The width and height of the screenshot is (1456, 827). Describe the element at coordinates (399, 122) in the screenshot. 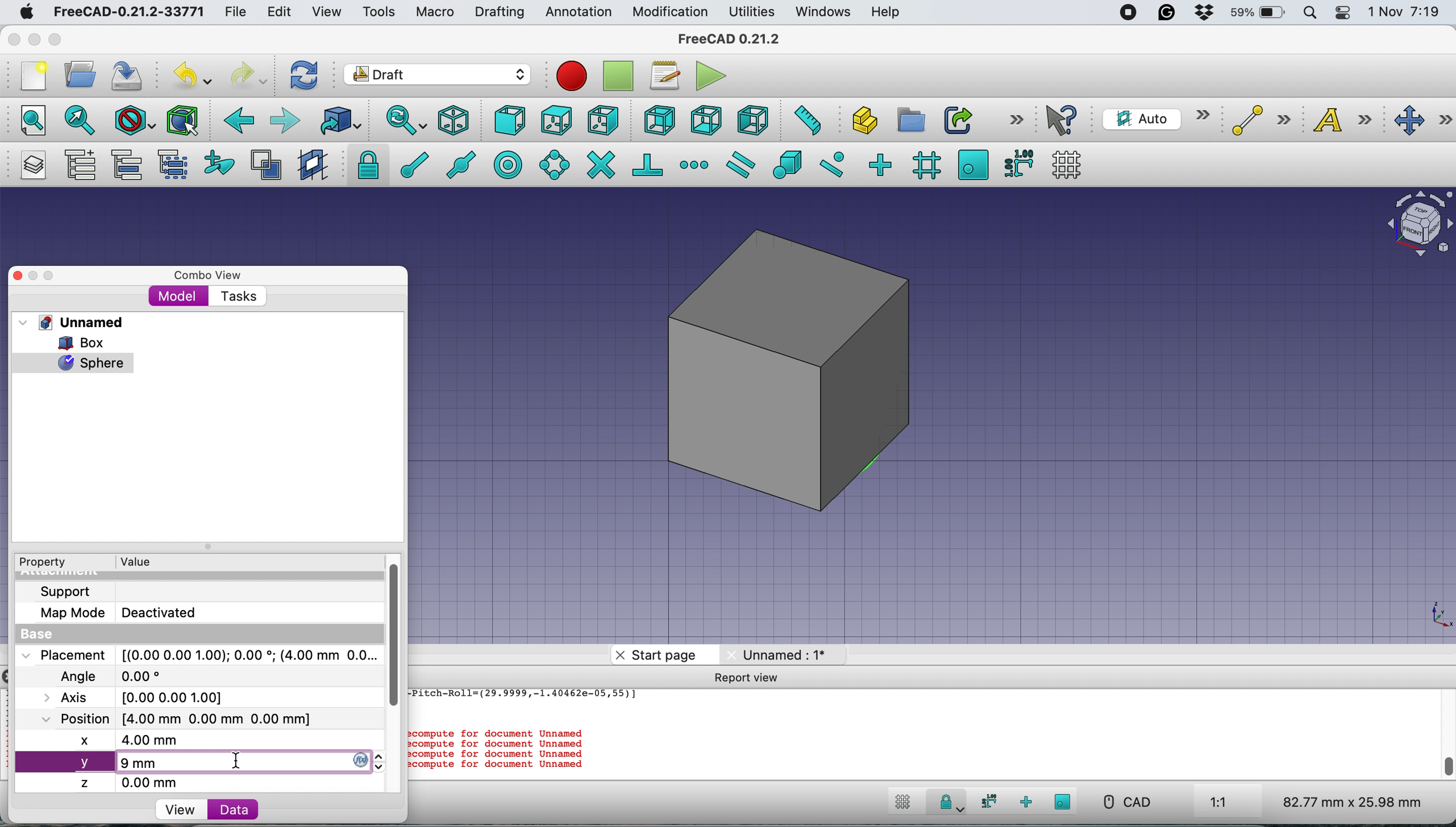

I see `sync view` at that location.